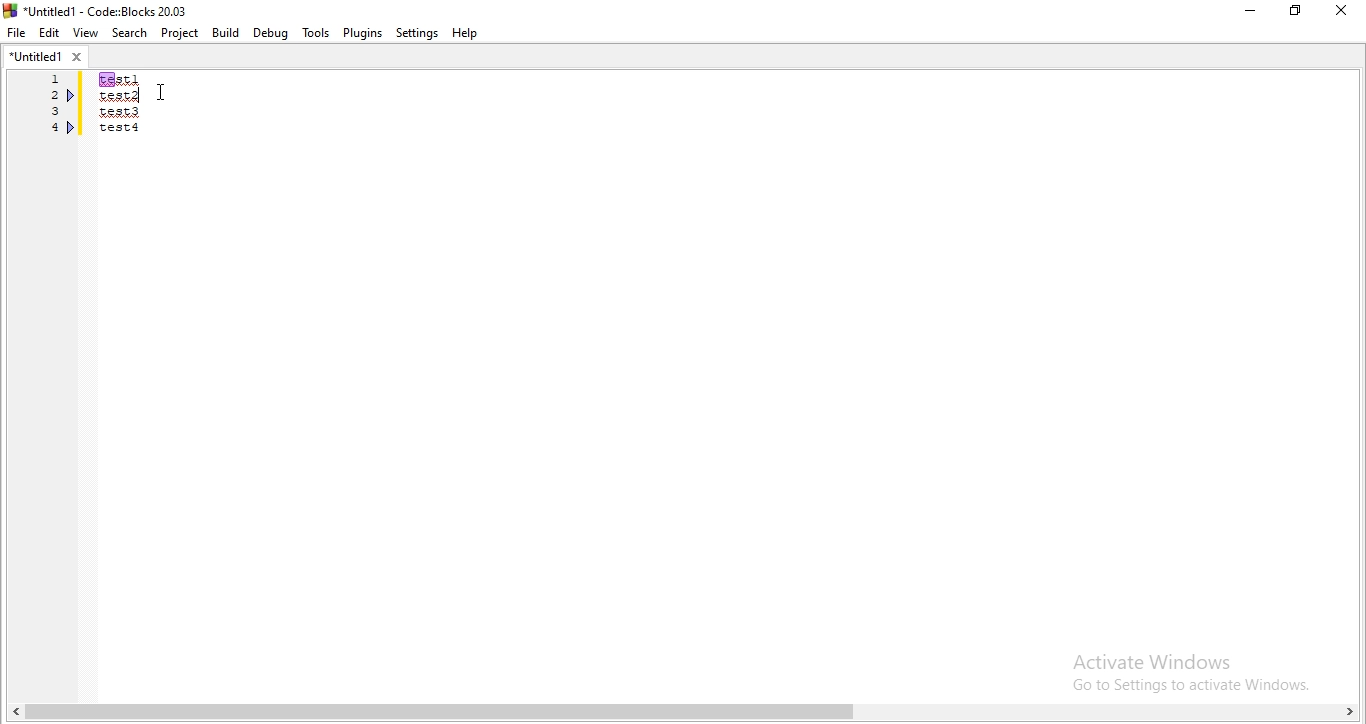 The height and width of the screenshot is (724, 1366). What do you see at coordinates (469, 35) in the screenshot?
I see `Help` at bounding box center [469, 35].